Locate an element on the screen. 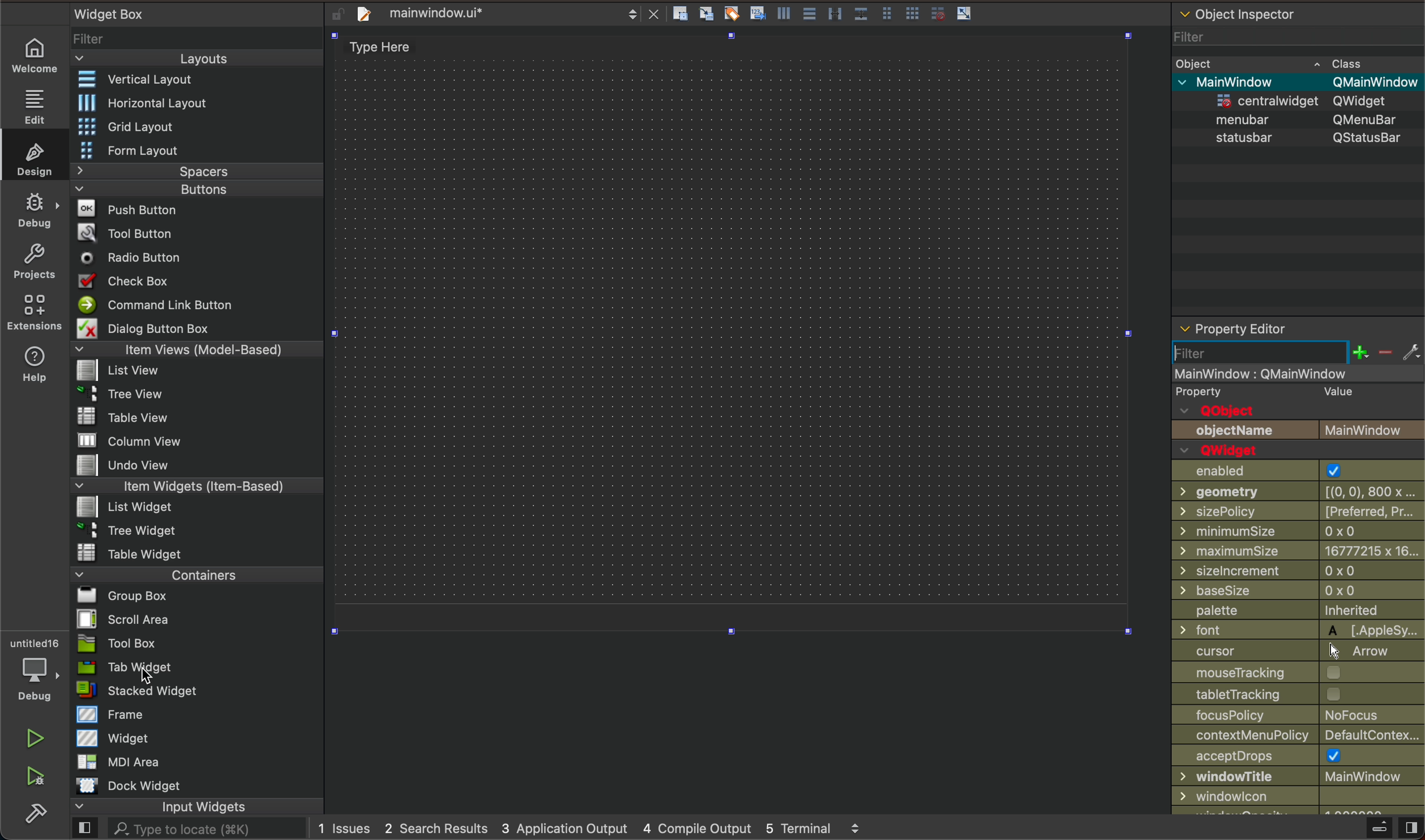  Dialog Button Box is located at coordinates (139, 327).